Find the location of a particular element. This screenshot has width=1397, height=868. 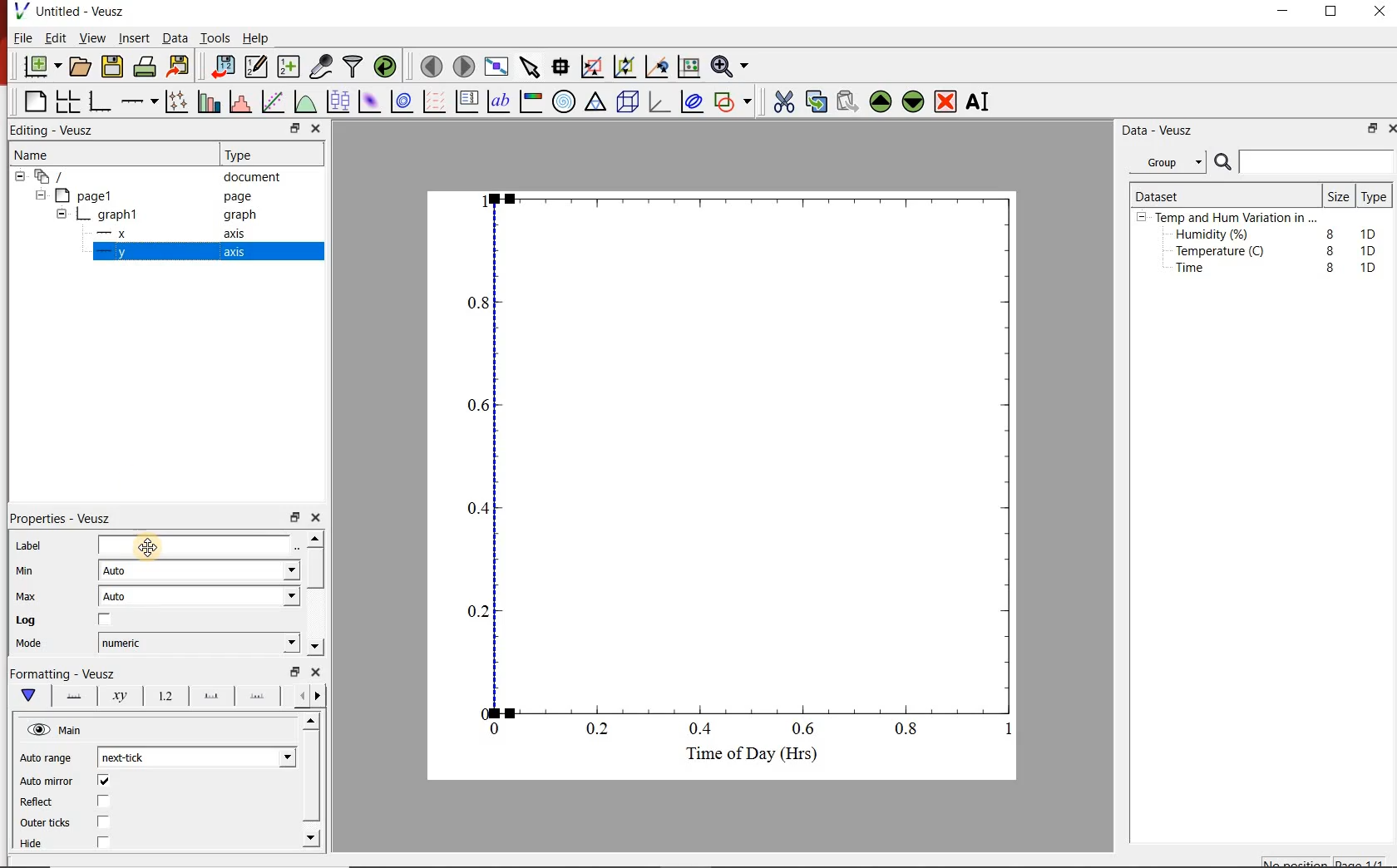

Untitled - Veusz is located at coordinates (74, 11).